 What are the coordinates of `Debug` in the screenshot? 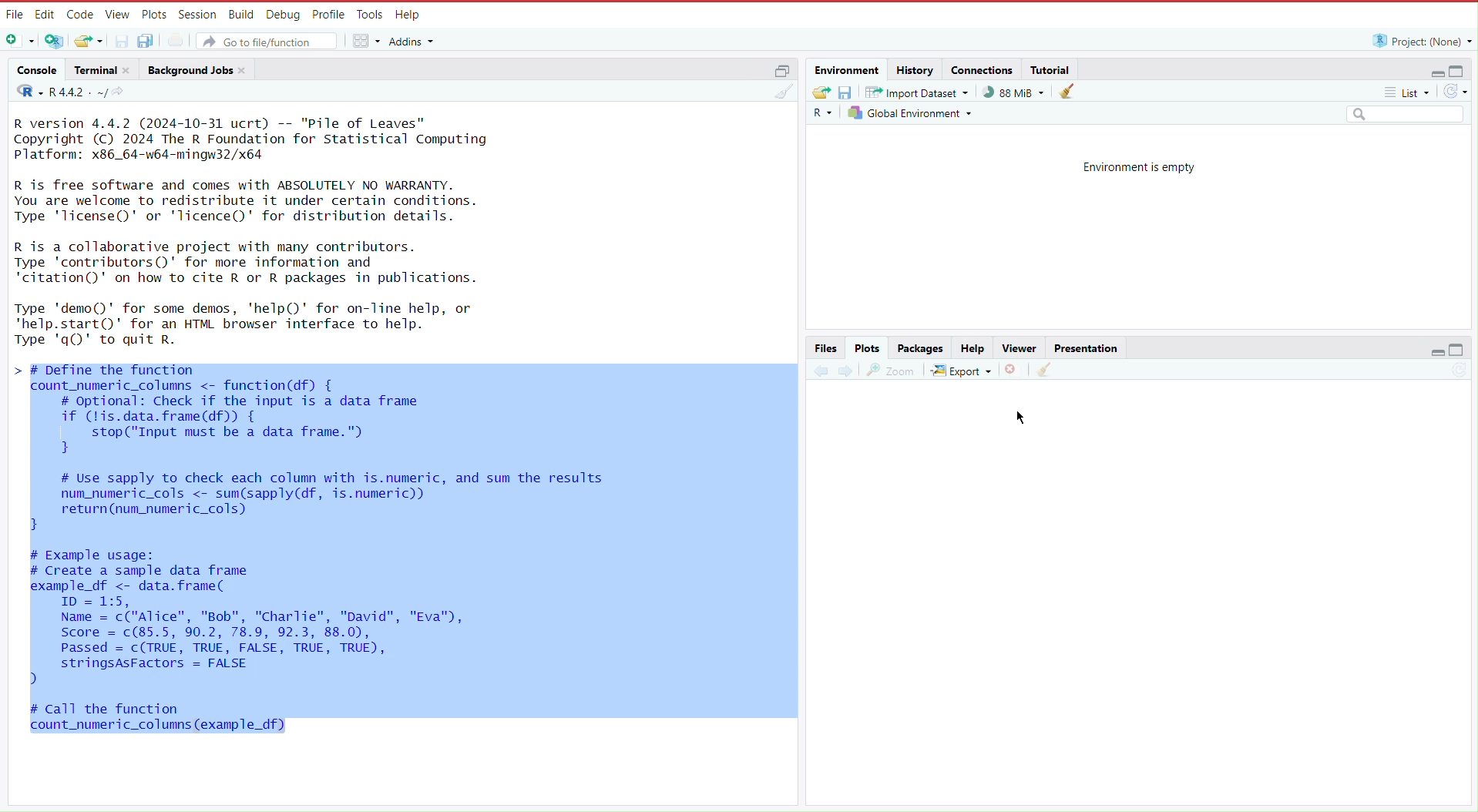 It's located at (281, 14).